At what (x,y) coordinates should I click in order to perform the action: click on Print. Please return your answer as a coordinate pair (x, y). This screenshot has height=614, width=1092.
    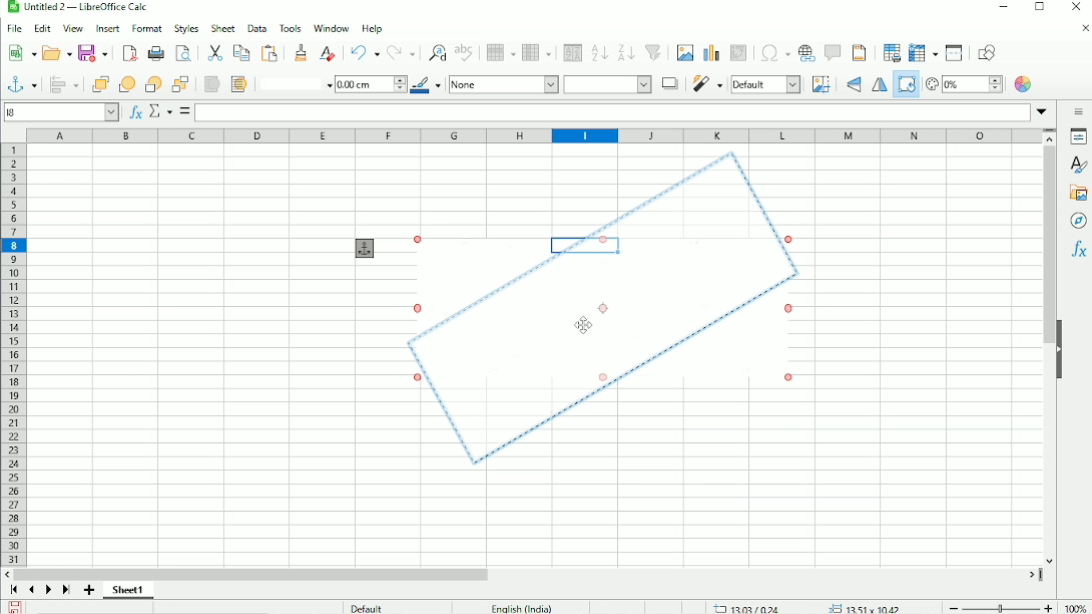
    Looking at the image, I should click on (155, 53).